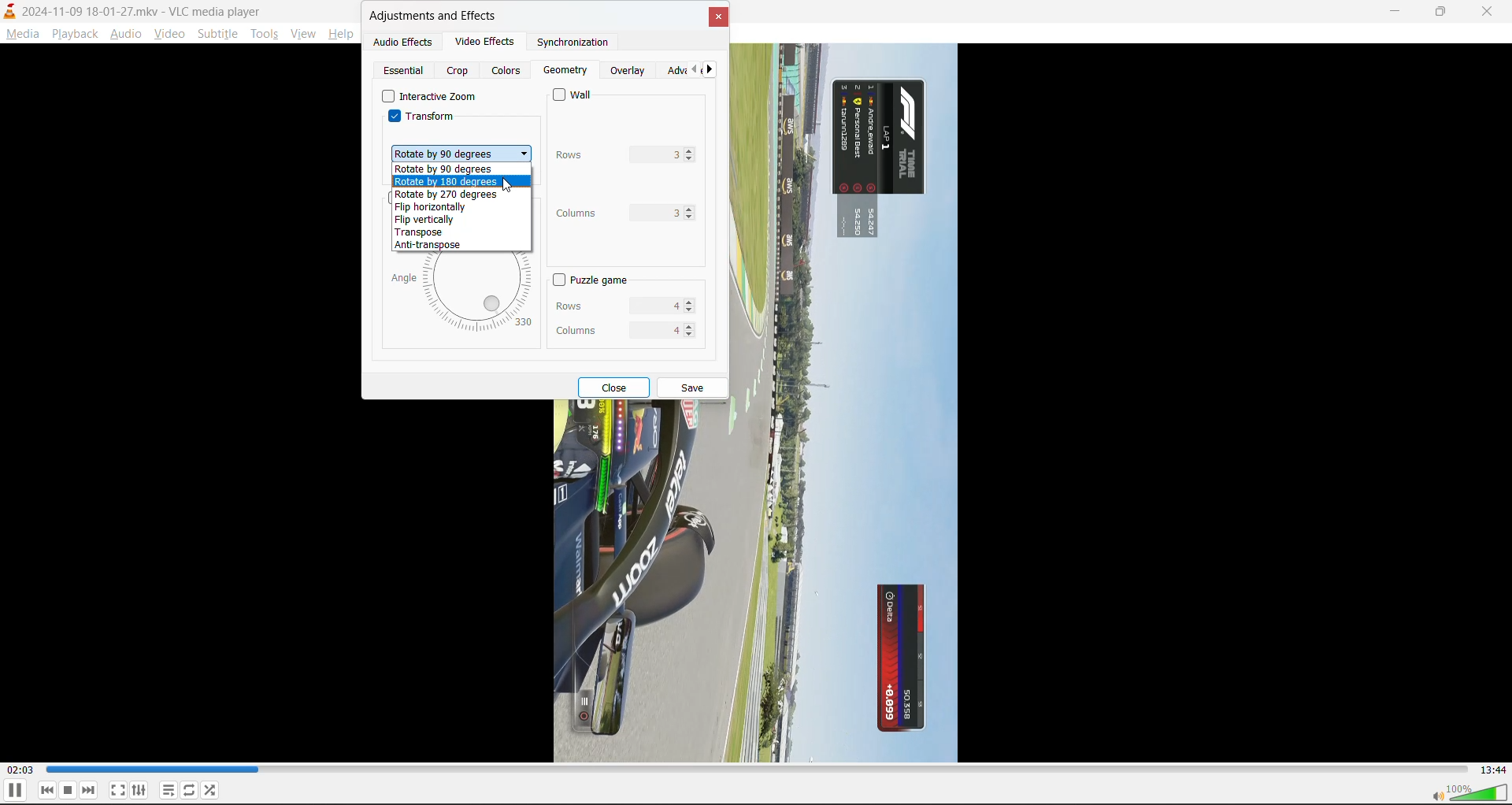  What do you see at coordinates (433, 246) in the screenshot?
I see `anti transpose` at bounding box center [433, 246].